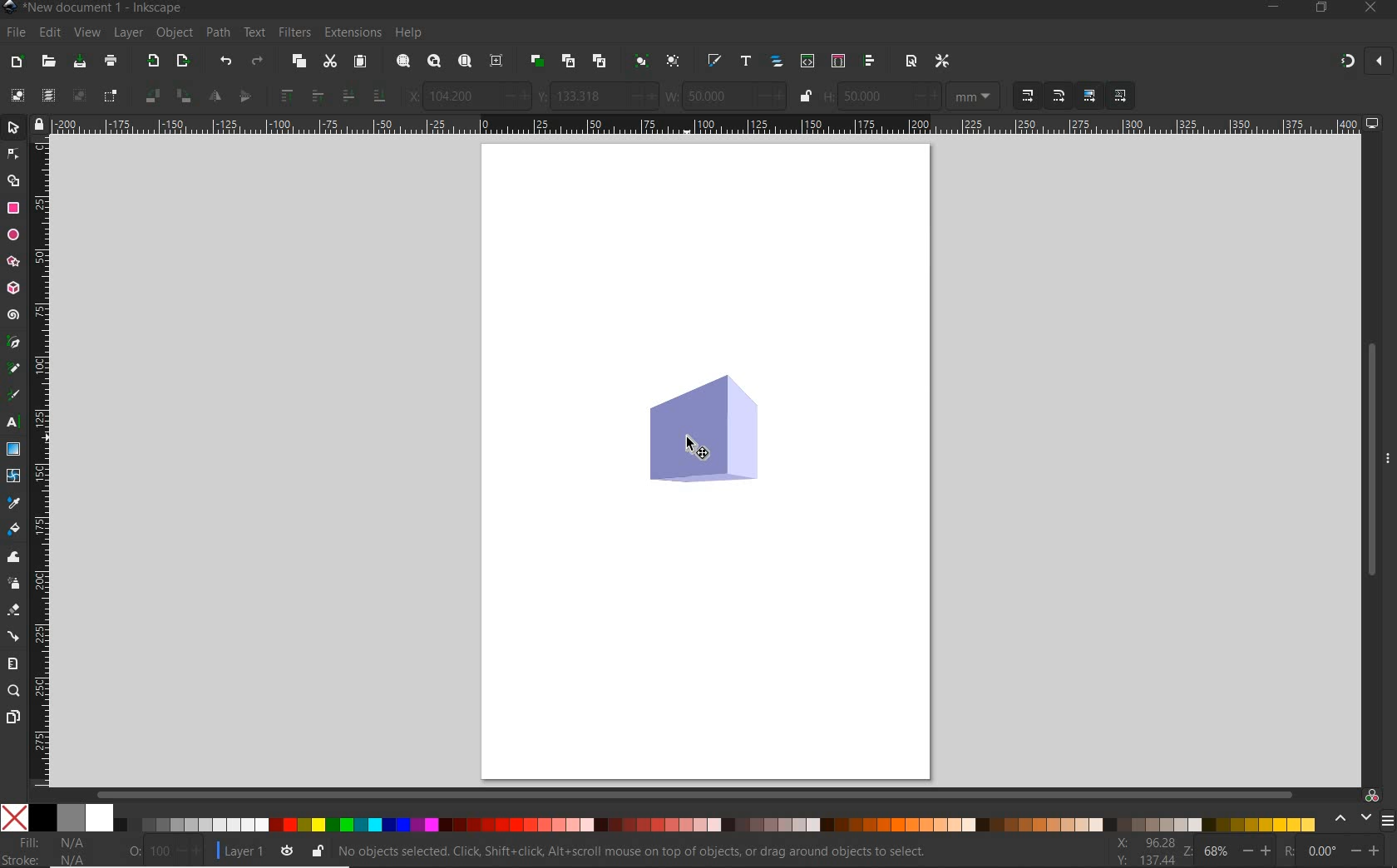 The height and width of the screenshot is (868, 1397). Describe the element at coordinates (1059, 96) in the screenshot. I see `when scaling` at that location.